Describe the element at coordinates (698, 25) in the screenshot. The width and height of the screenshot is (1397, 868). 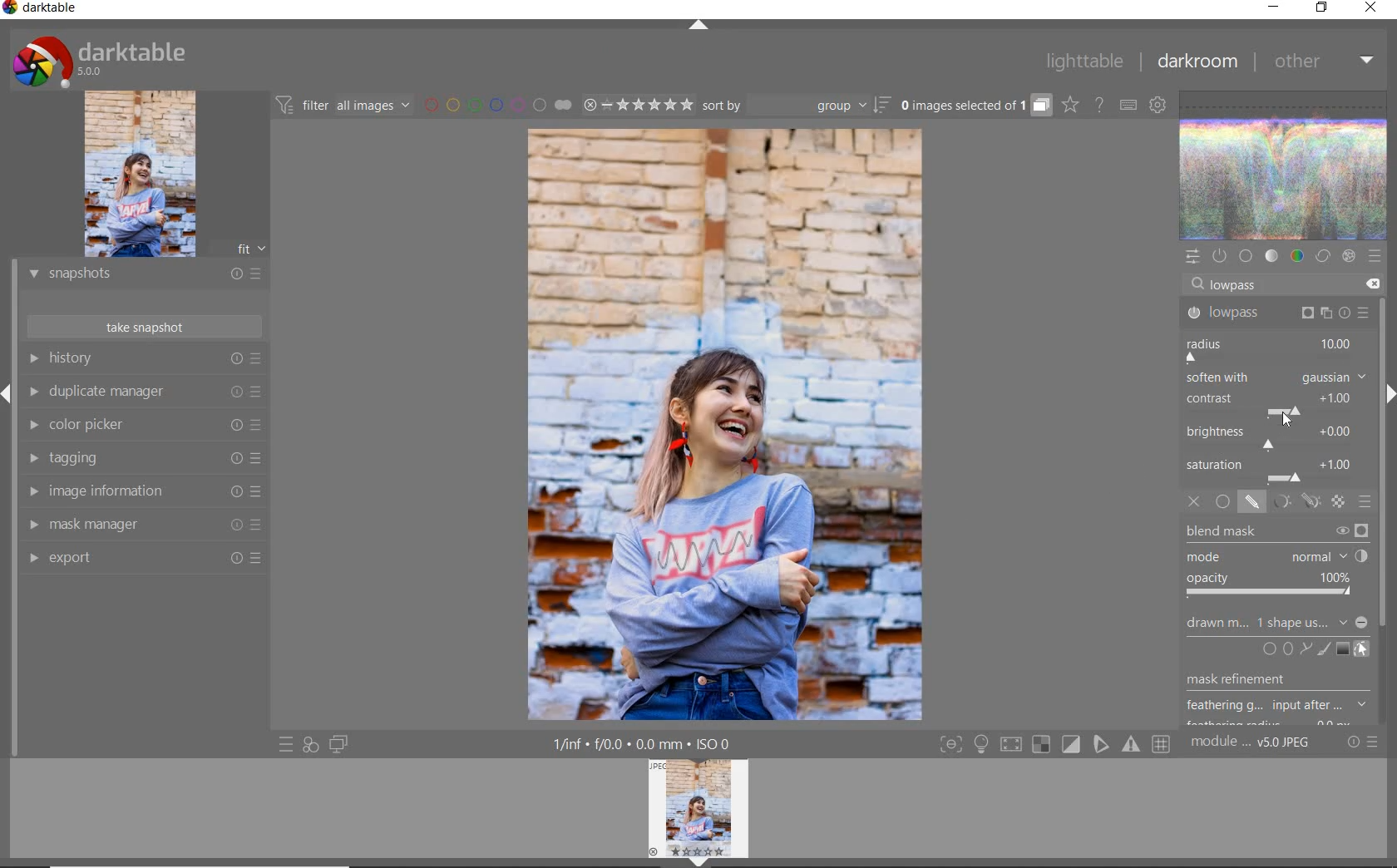
I see `expand/collapse` at that location.